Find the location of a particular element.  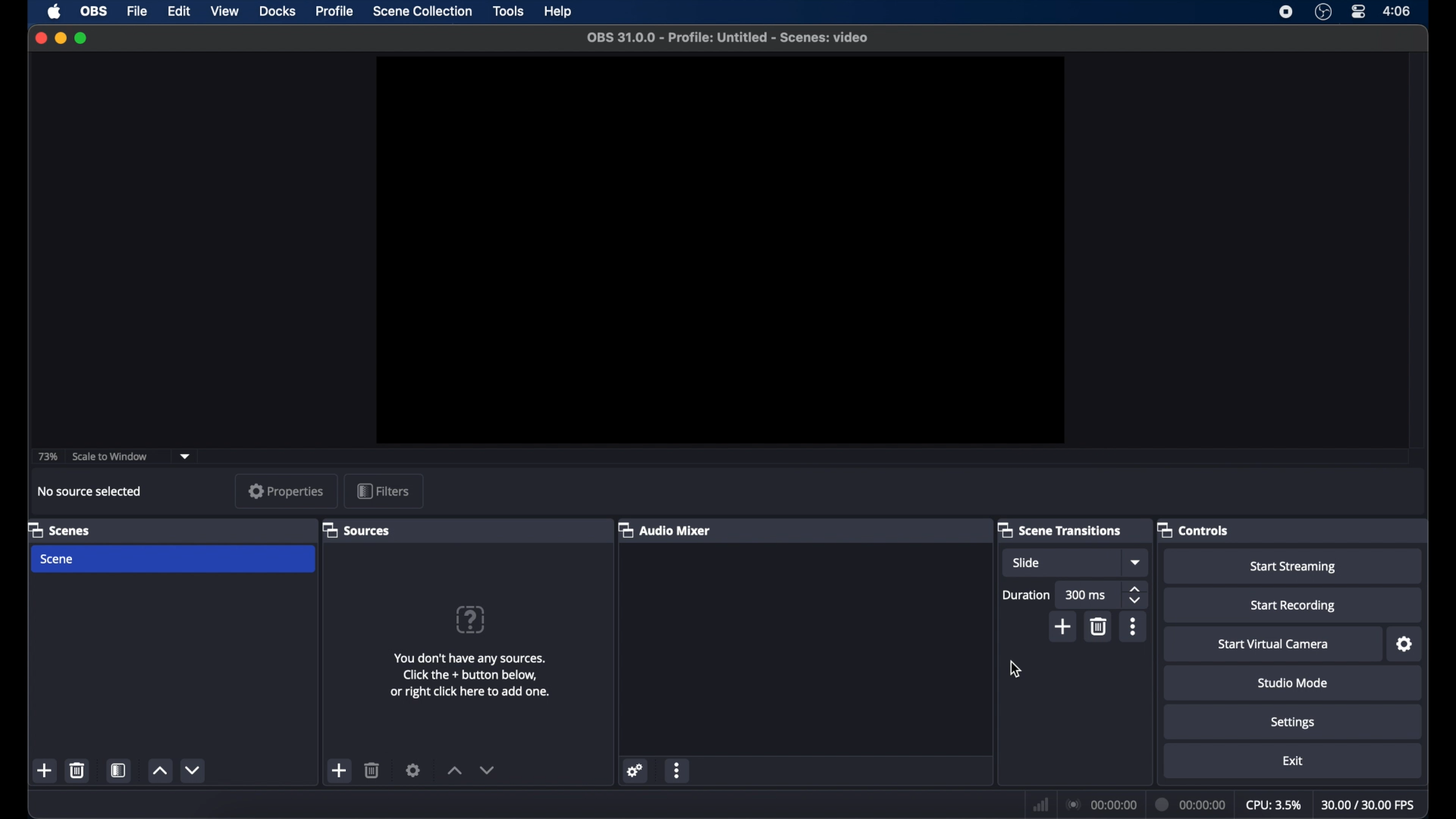

control center is located at coordinates (1359, 12).